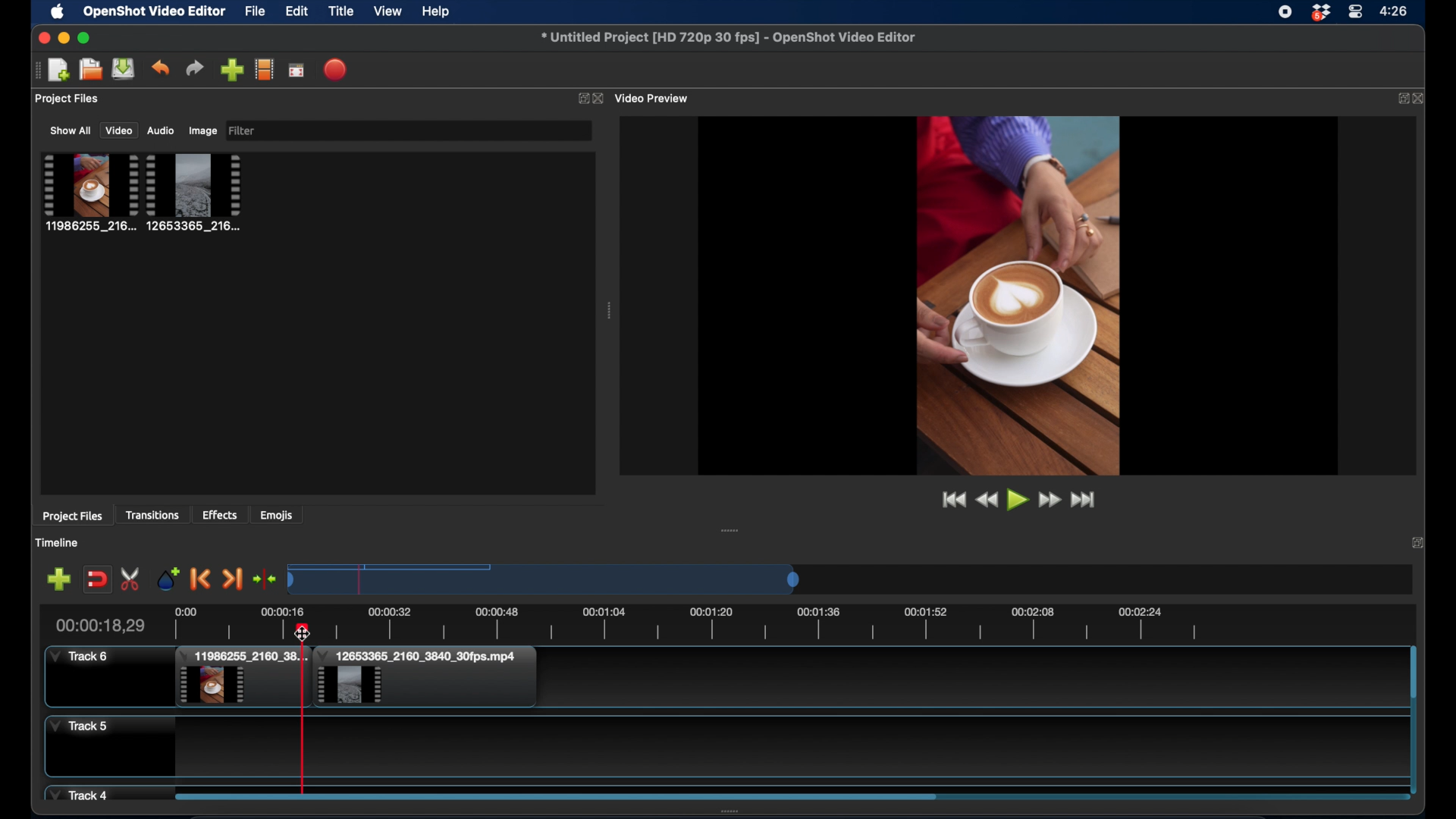 This screenshot has height=819, width=1456. Describe the element at coordinates (195, 192) in the screenshot. I see `project file` at that location.